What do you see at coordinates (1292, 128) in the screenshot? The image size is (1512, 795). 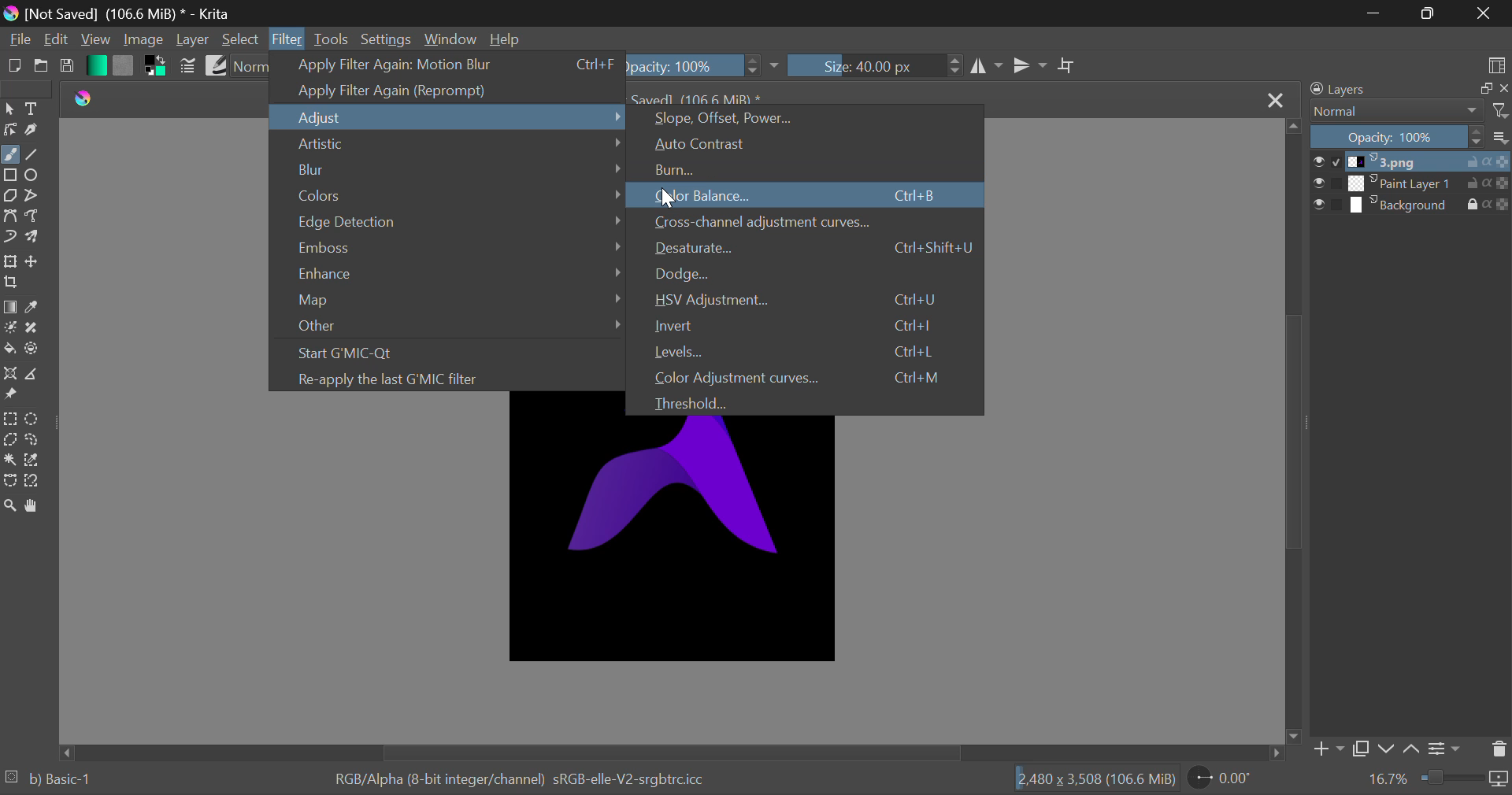 I see `move up` at bounding box center [1292, 128].